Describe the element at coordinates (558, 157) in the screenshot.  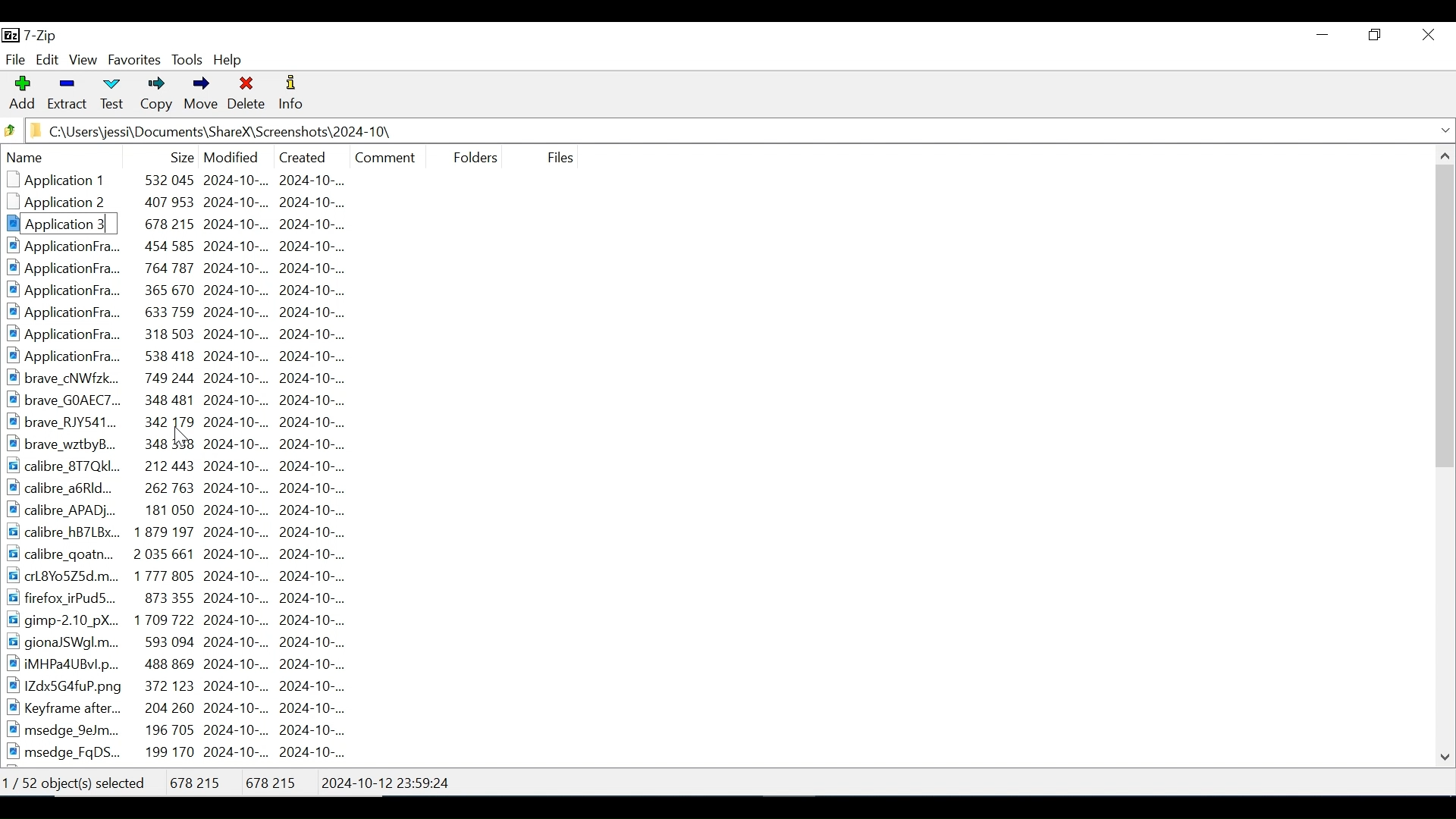
I see `File` at that location.